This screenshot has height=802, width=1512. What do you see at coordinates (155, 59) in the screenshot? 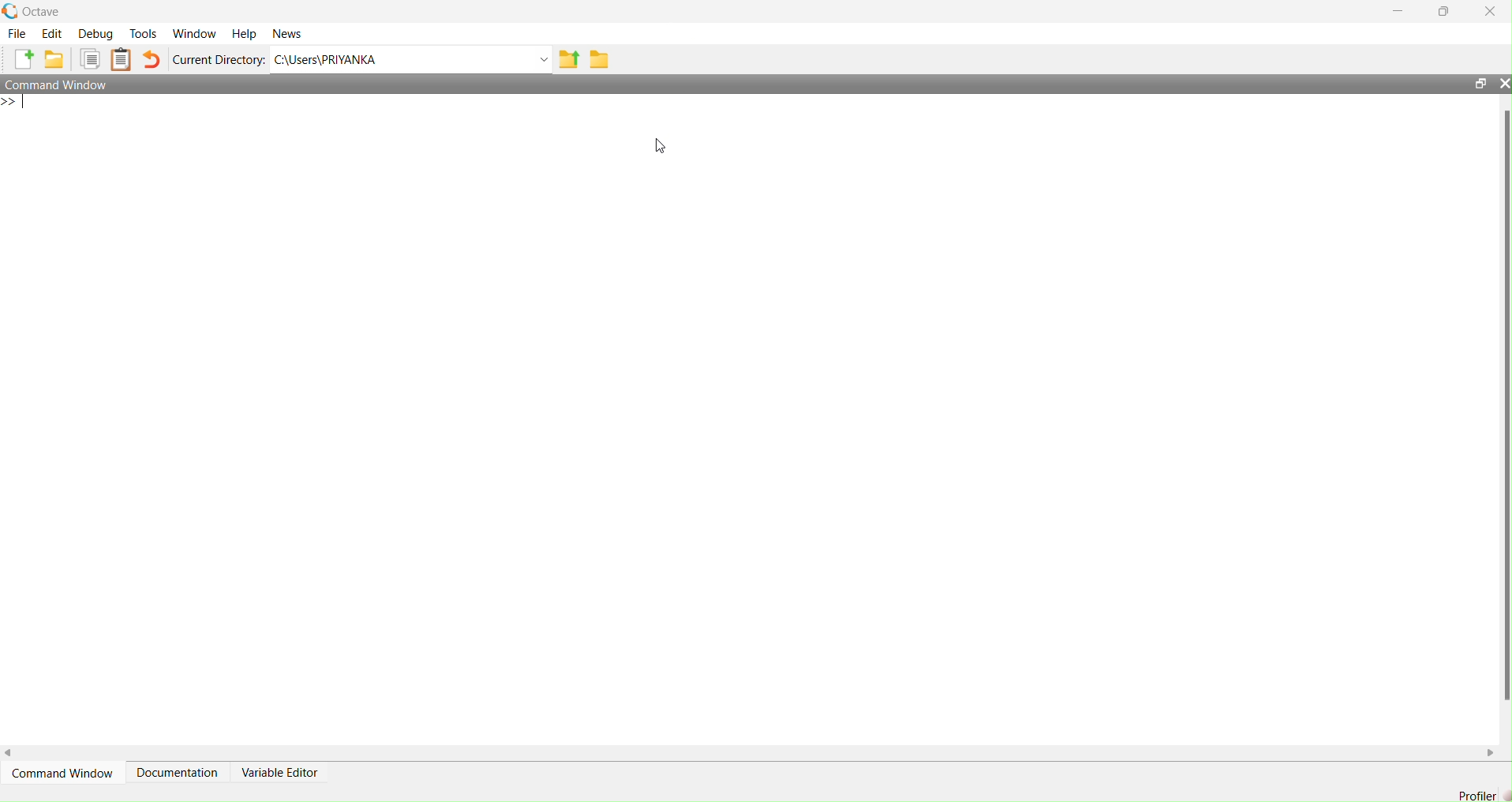
I see `redo` at bounding box center [155, 59].